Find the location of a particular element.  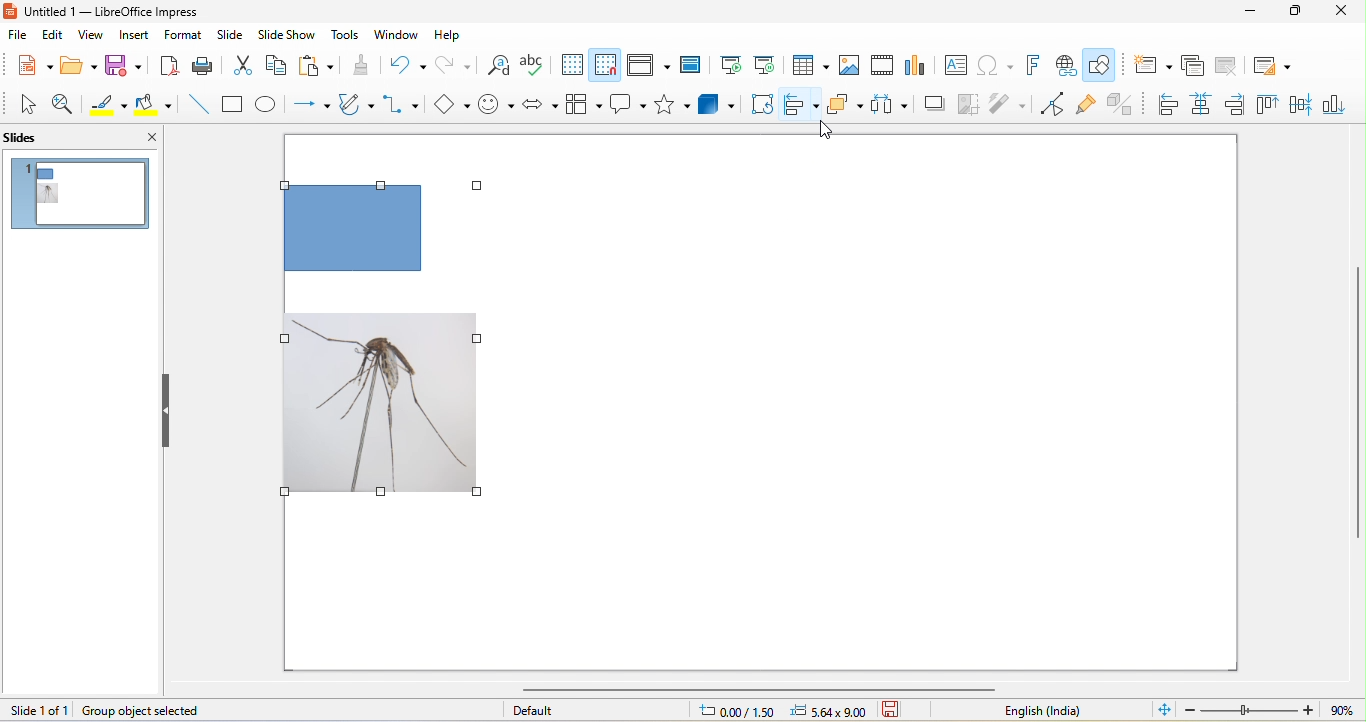

hide is located at coordinates (171, 409).